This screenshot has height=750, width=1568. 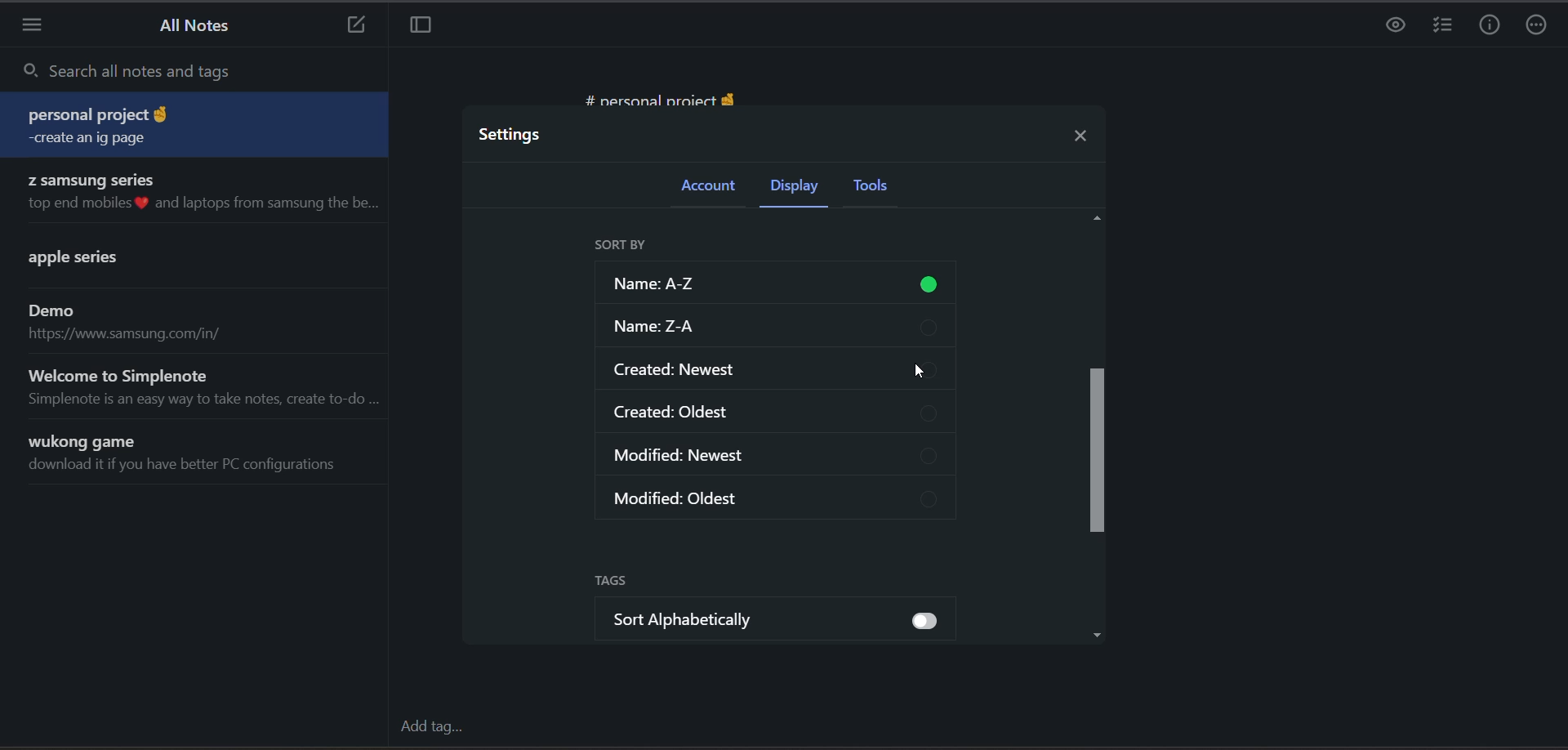 I want to click on preview, so click(x=1391, y=26).